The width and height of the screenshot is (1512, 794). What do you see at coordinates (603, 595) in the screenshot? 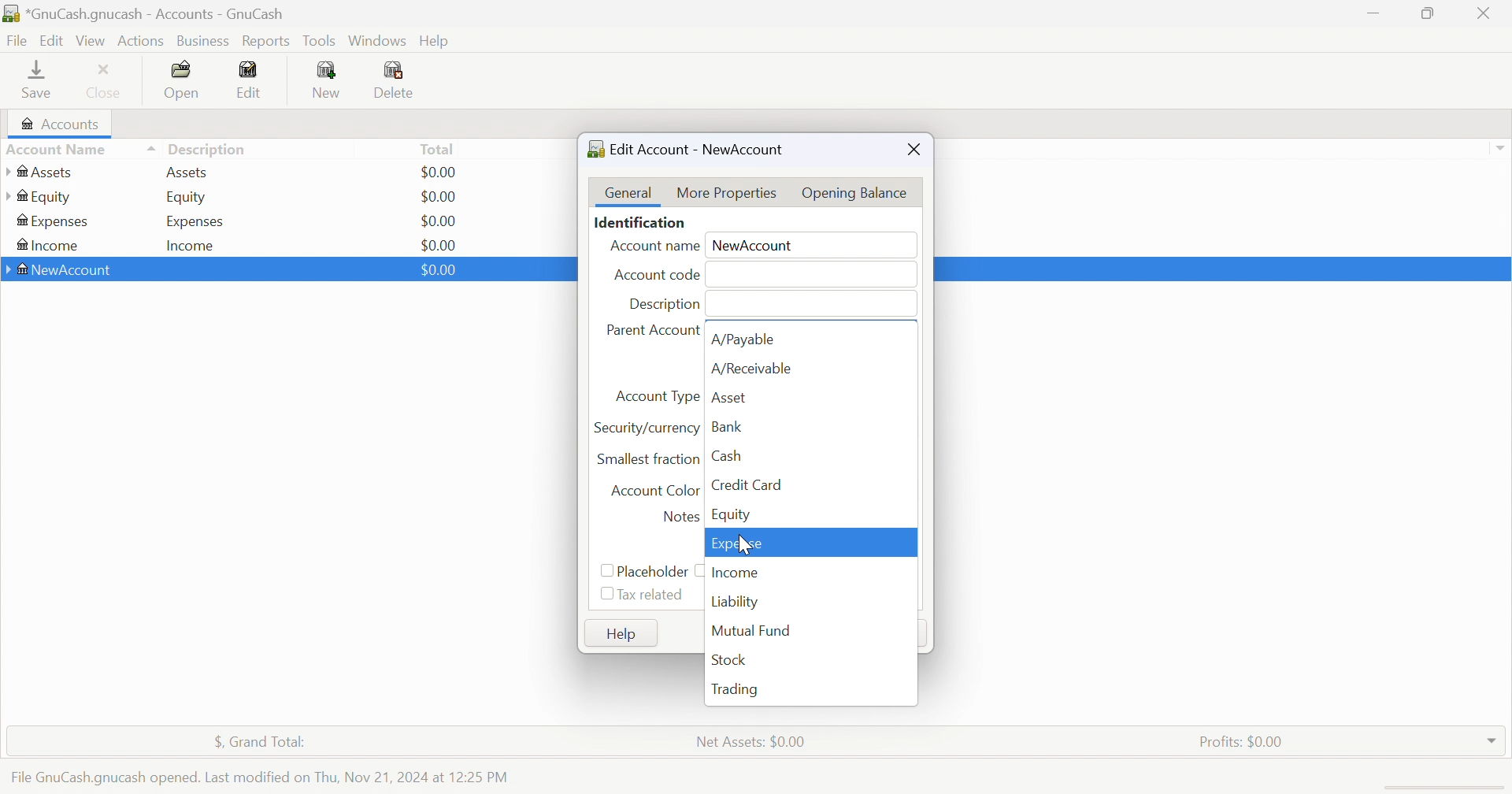
I see `Checkbox` at bounding box center [603, 595].